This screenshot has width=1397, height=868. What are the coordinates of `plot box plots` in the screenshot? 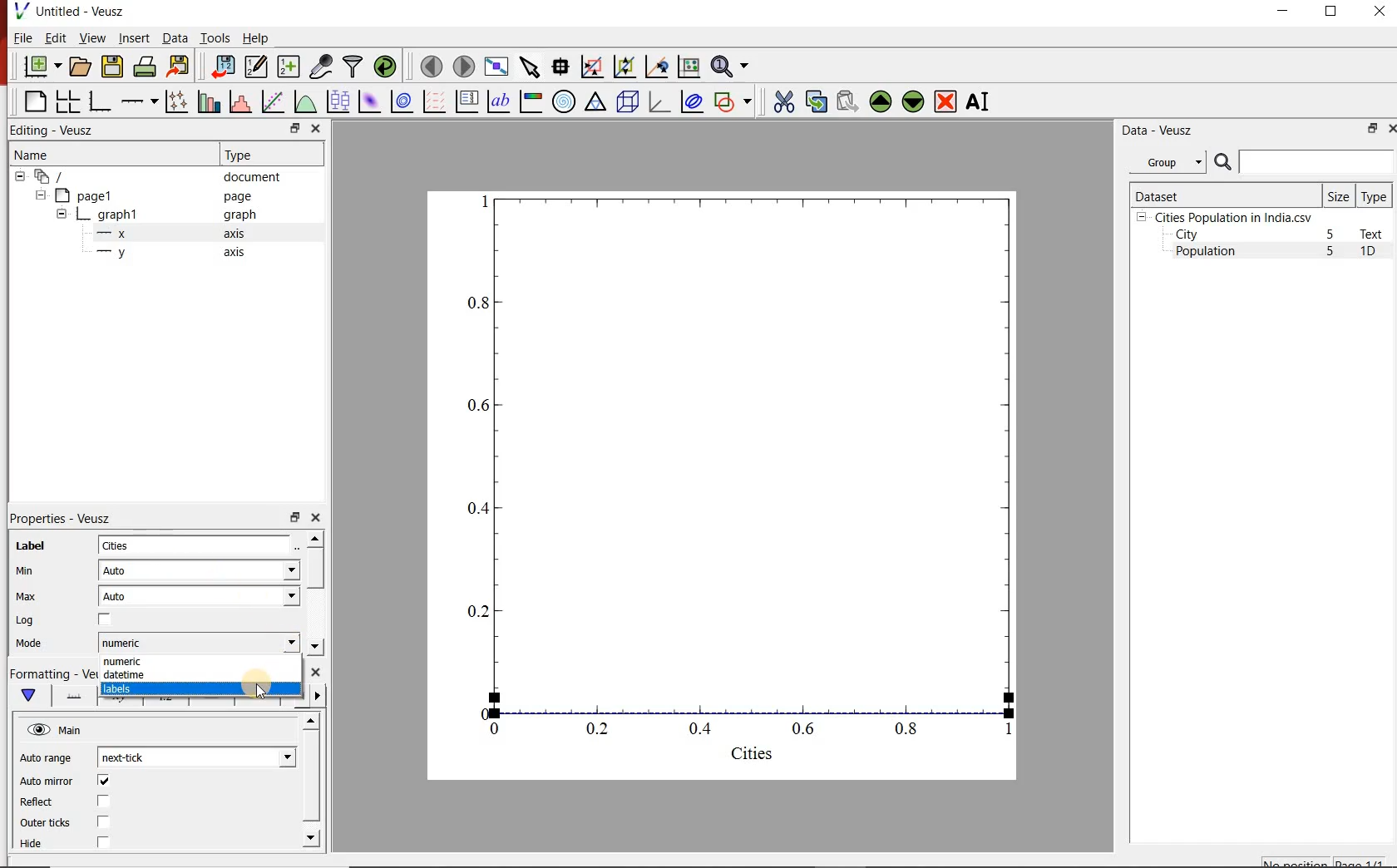 It's located at (337, 101).